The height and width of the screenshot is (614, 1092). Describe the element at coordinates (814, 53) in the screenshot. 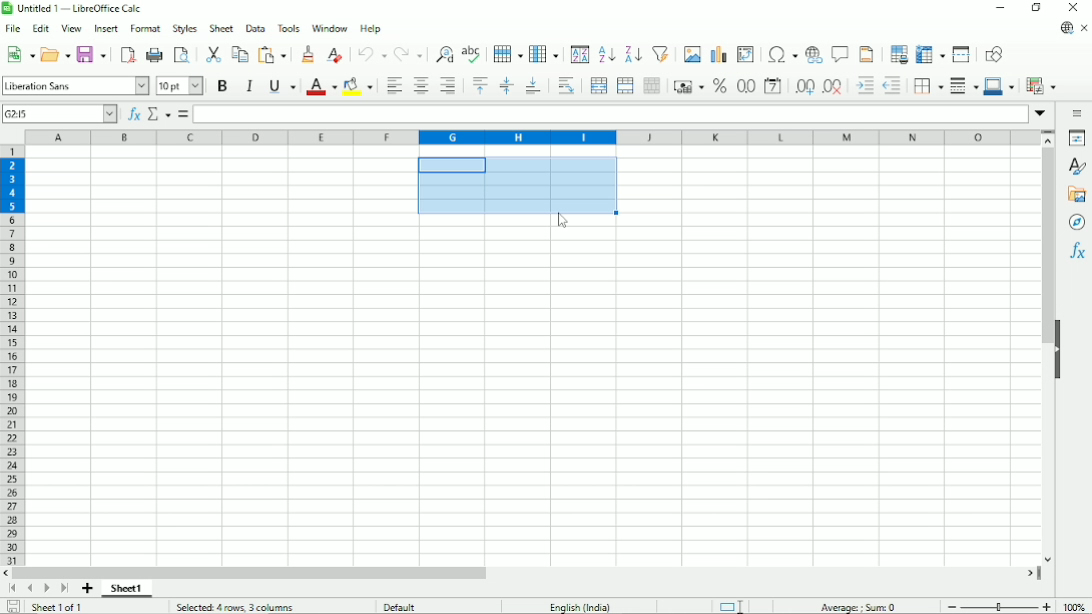

I see `Insert hyperlink` at that location.